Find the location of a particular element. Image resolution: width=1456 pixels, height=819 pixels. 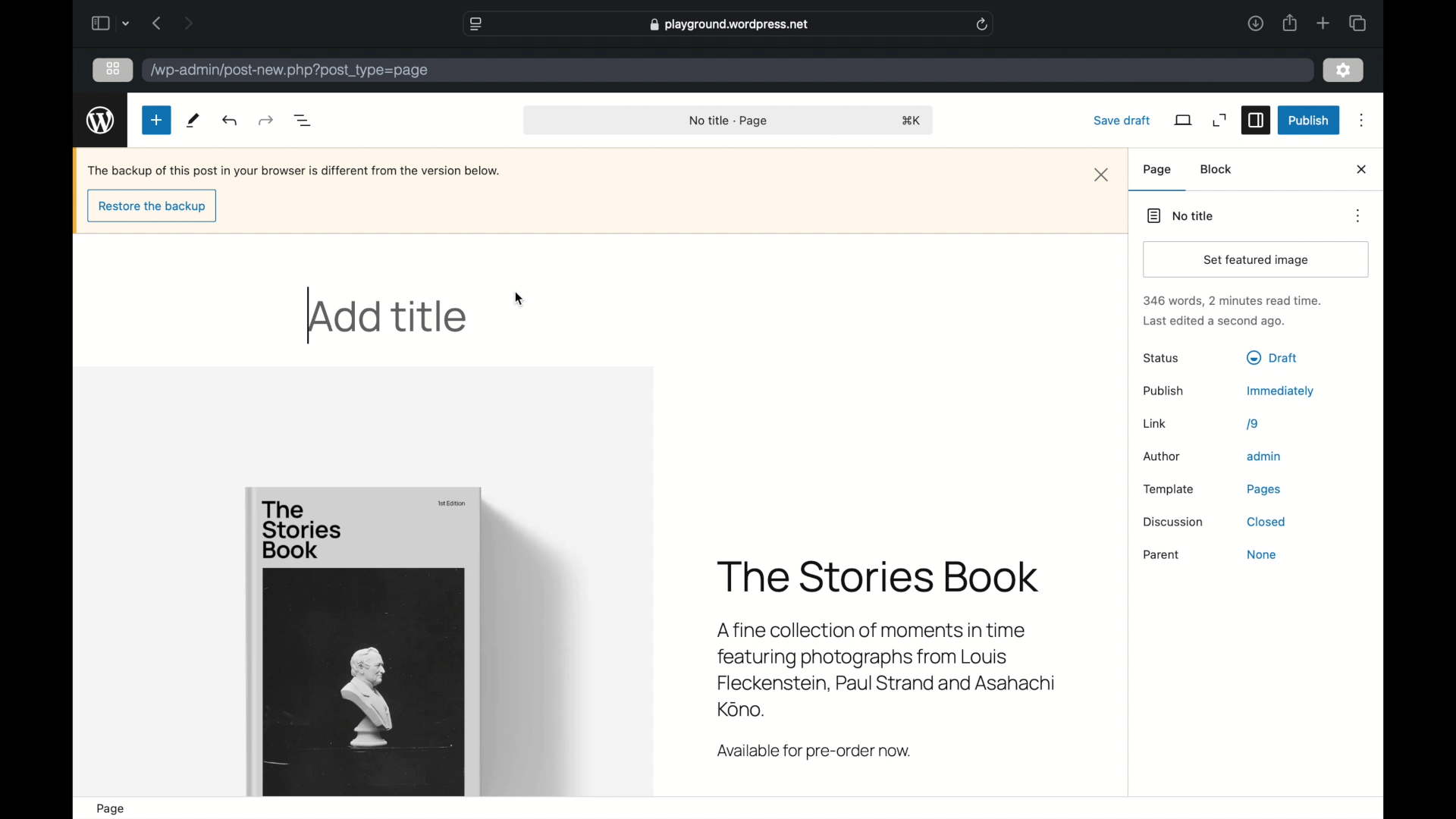

page is located at coordinates (112, 809).